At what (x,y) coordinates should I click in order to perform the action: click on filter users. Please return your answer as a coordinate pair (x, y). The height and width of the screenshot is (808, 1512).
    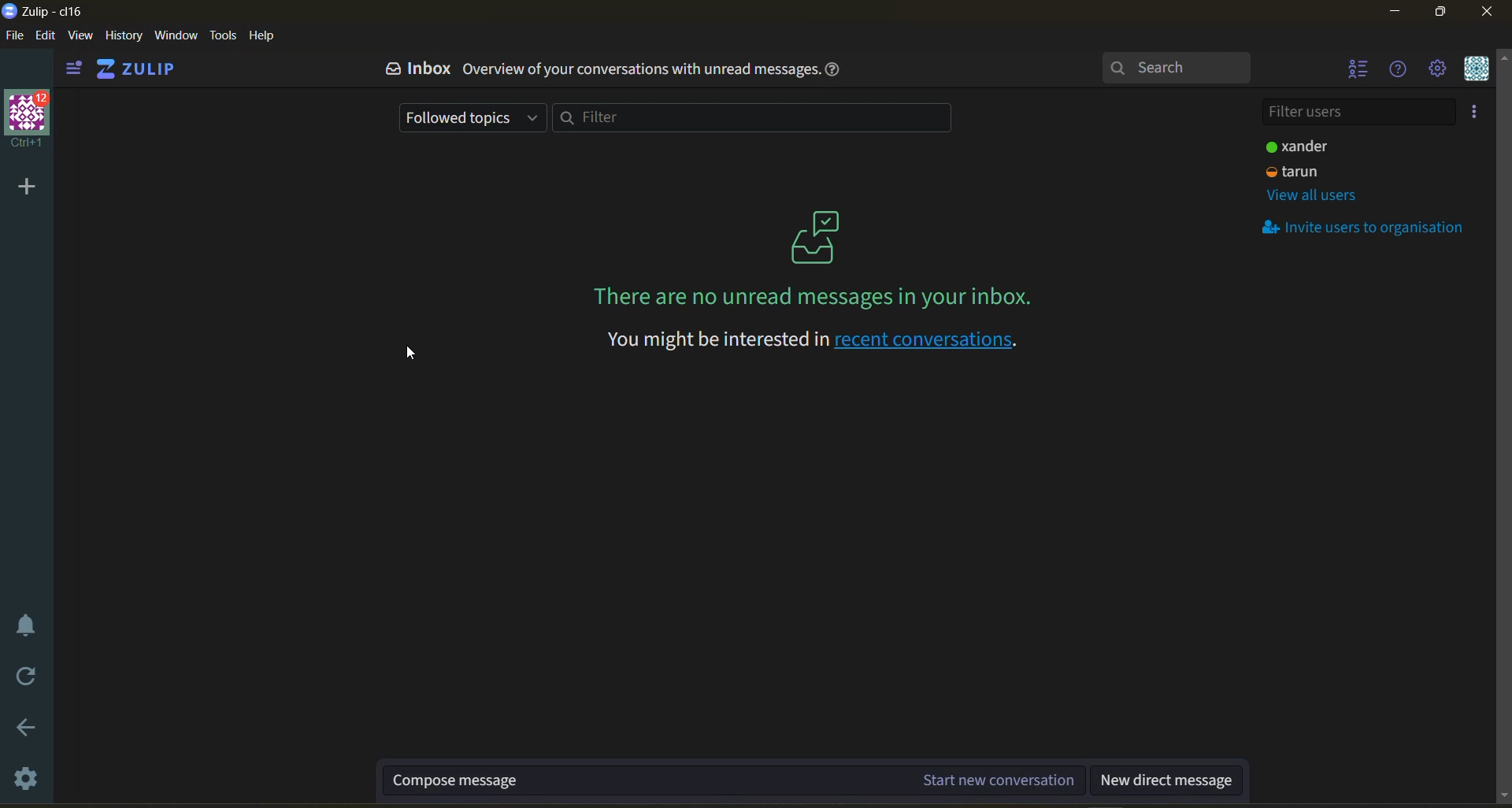
    Looking at the image, I should click on (1366, 109).